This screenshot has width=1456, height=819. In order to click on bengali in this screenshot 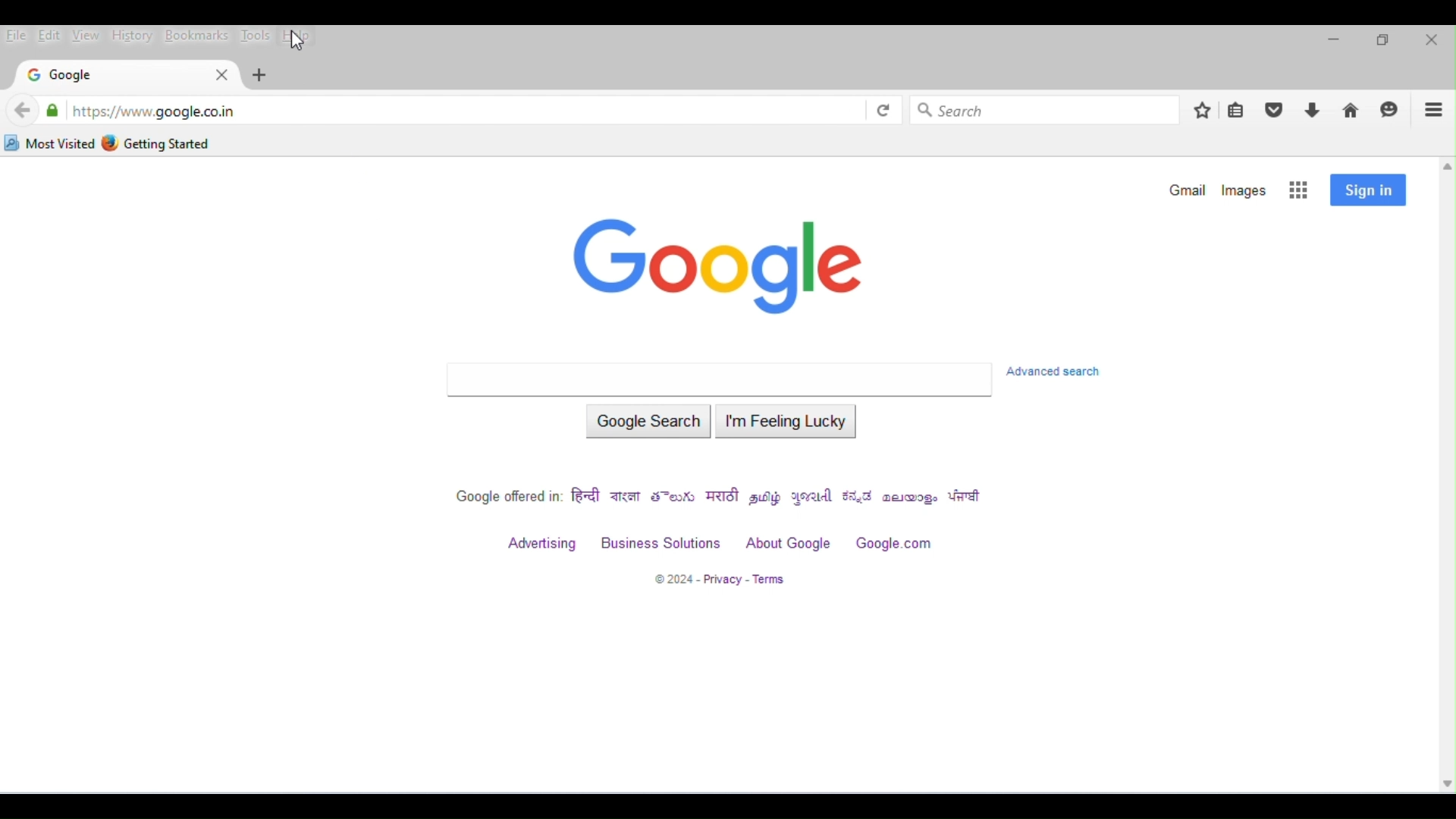, I will do `click(626, 497)`.